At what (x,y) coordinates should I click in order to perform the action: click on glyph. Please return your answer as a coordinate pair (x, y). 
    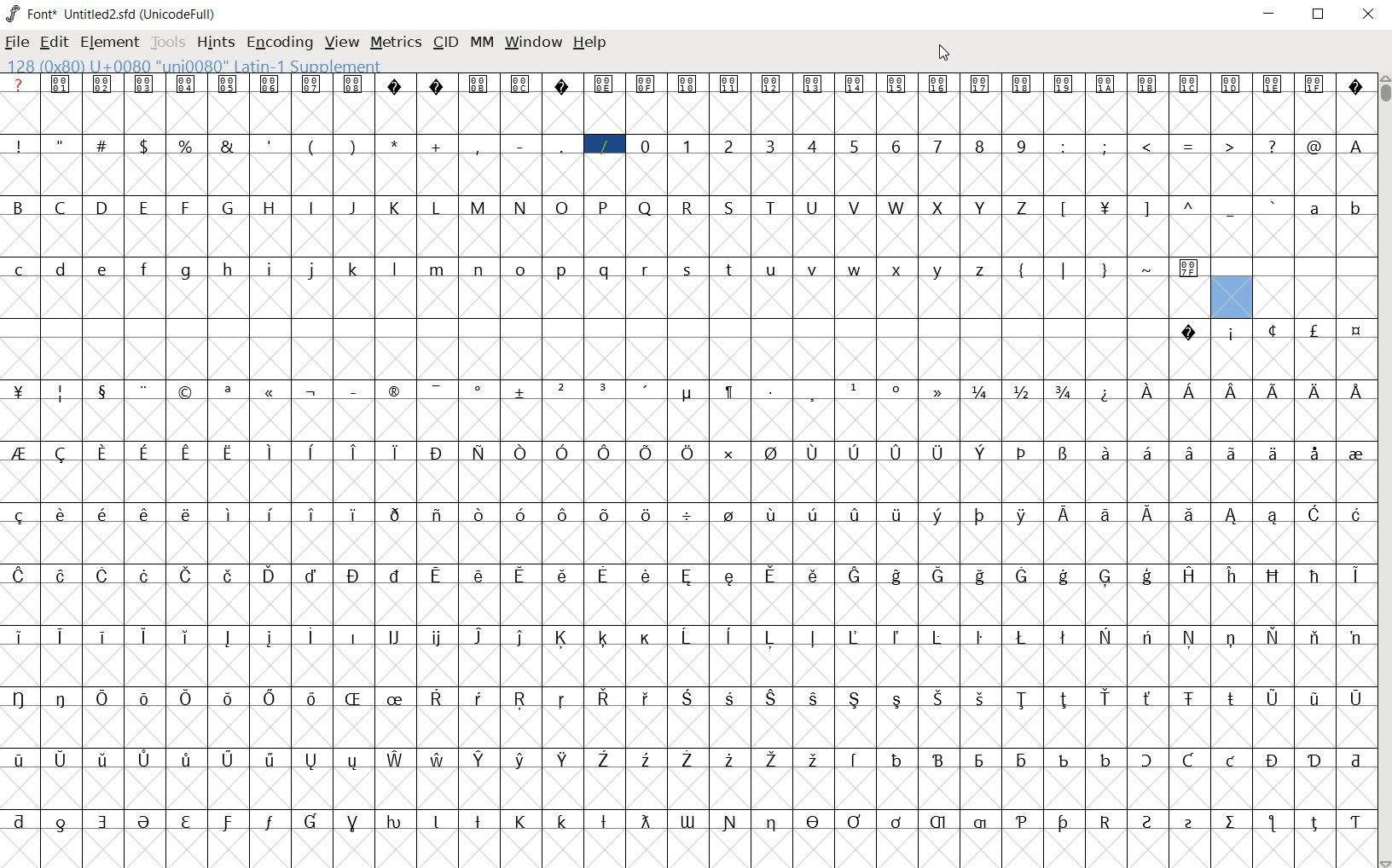
    Looking at the image, I should click on (104, 759).